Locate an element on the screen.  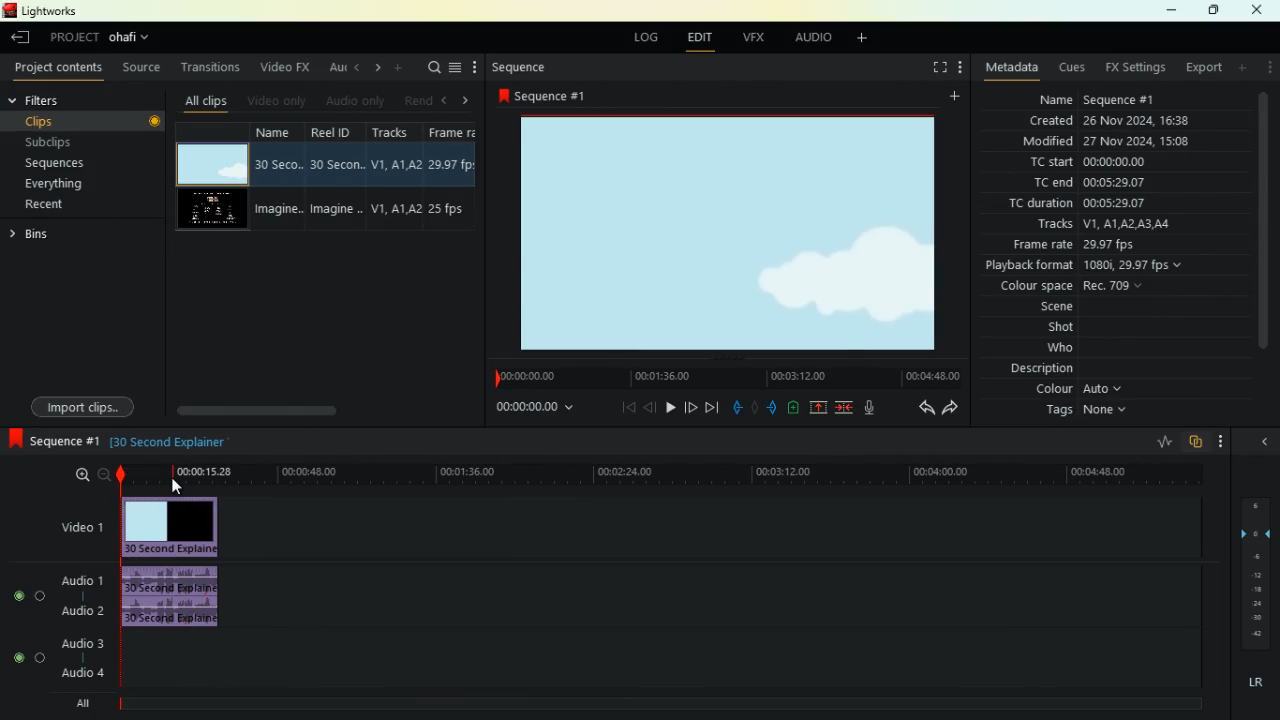
pull is located at coordinates (736, 409).